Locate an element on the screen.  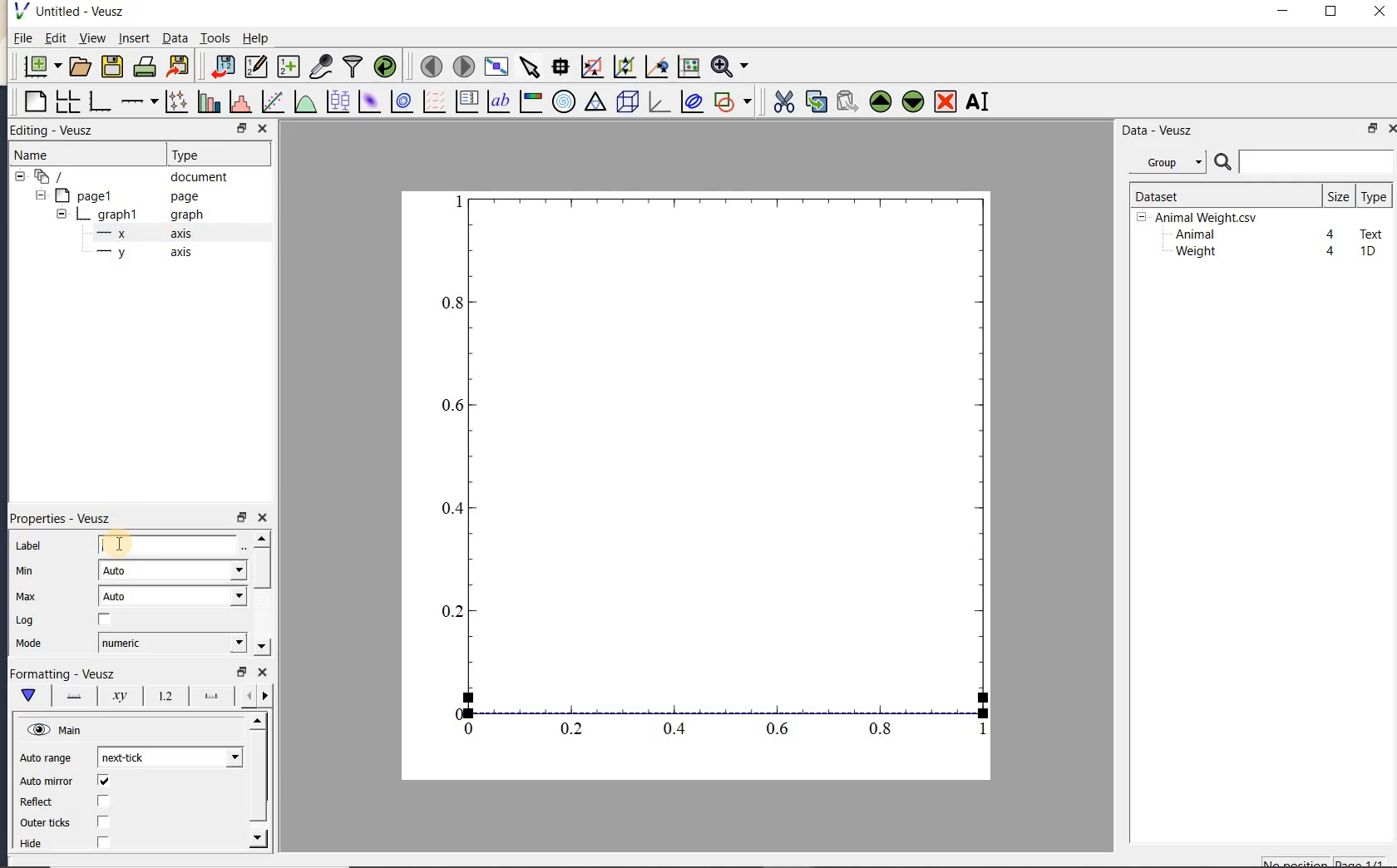
Max is located at coordinates (26, 596).